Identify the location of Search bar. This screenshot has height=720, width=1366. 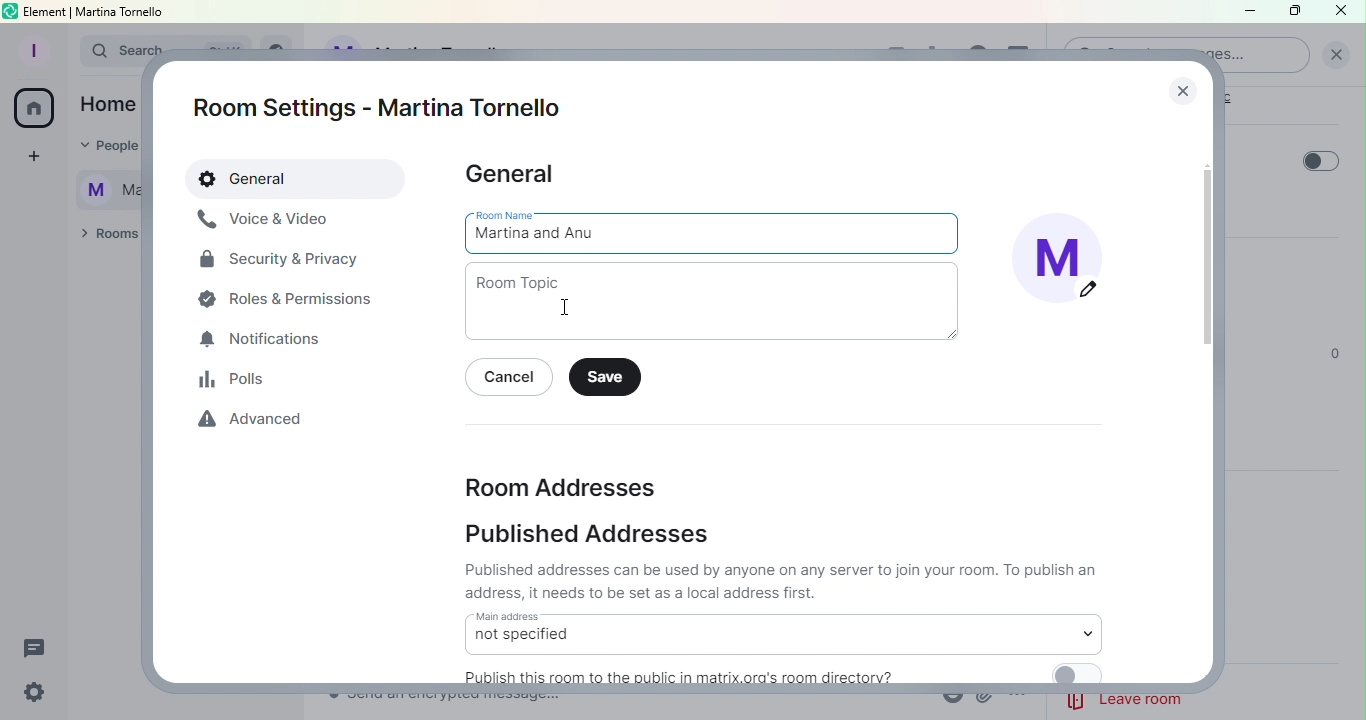
(106, 51).